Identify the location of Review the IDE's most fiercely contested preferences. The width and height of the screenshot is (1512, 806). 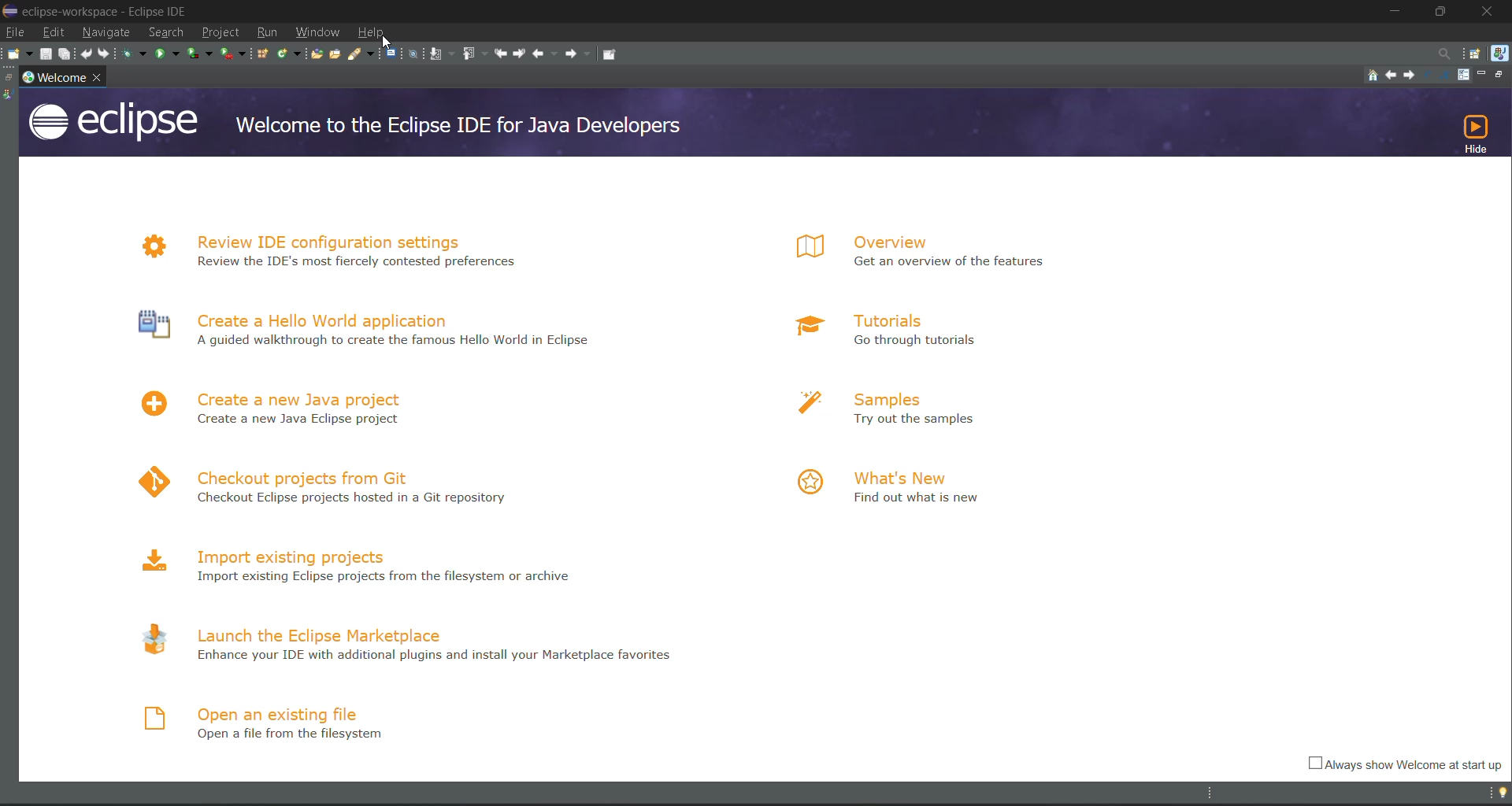
(324, 269).